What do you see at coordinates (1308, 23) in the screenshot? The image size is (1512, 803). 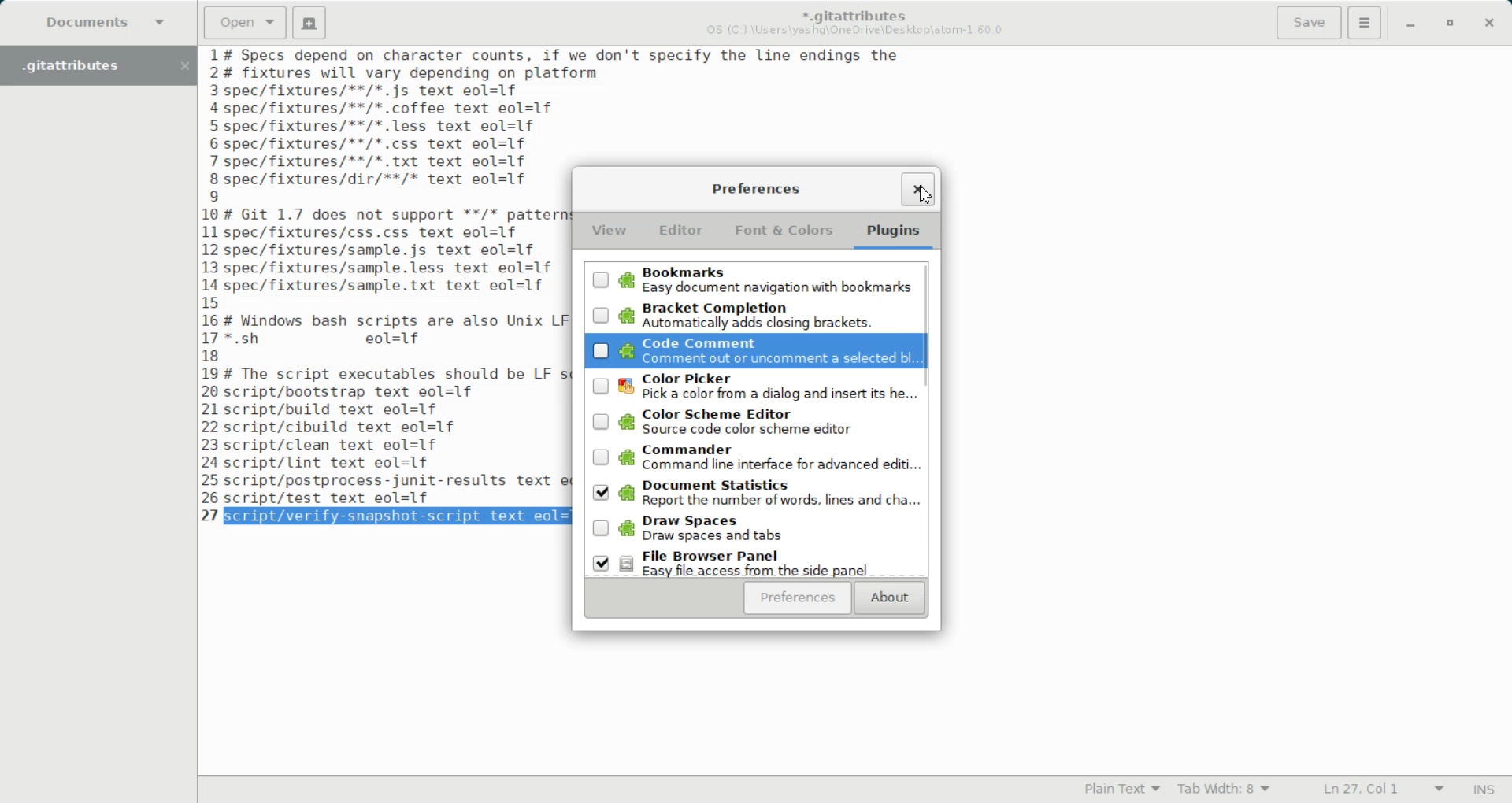 I see `Save` at bounding box center [1308, 23].